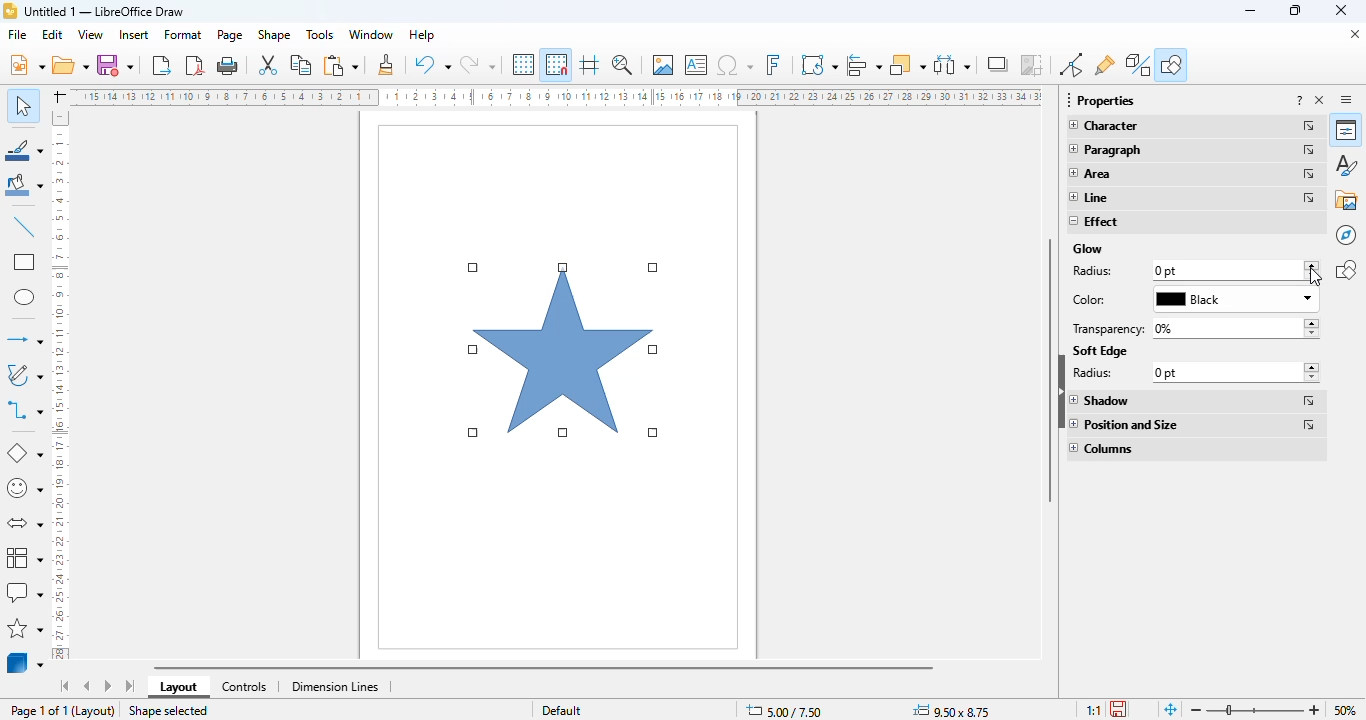  Describe the element at coordinates (371, 34) in the screenshot. I see `window` at that location.